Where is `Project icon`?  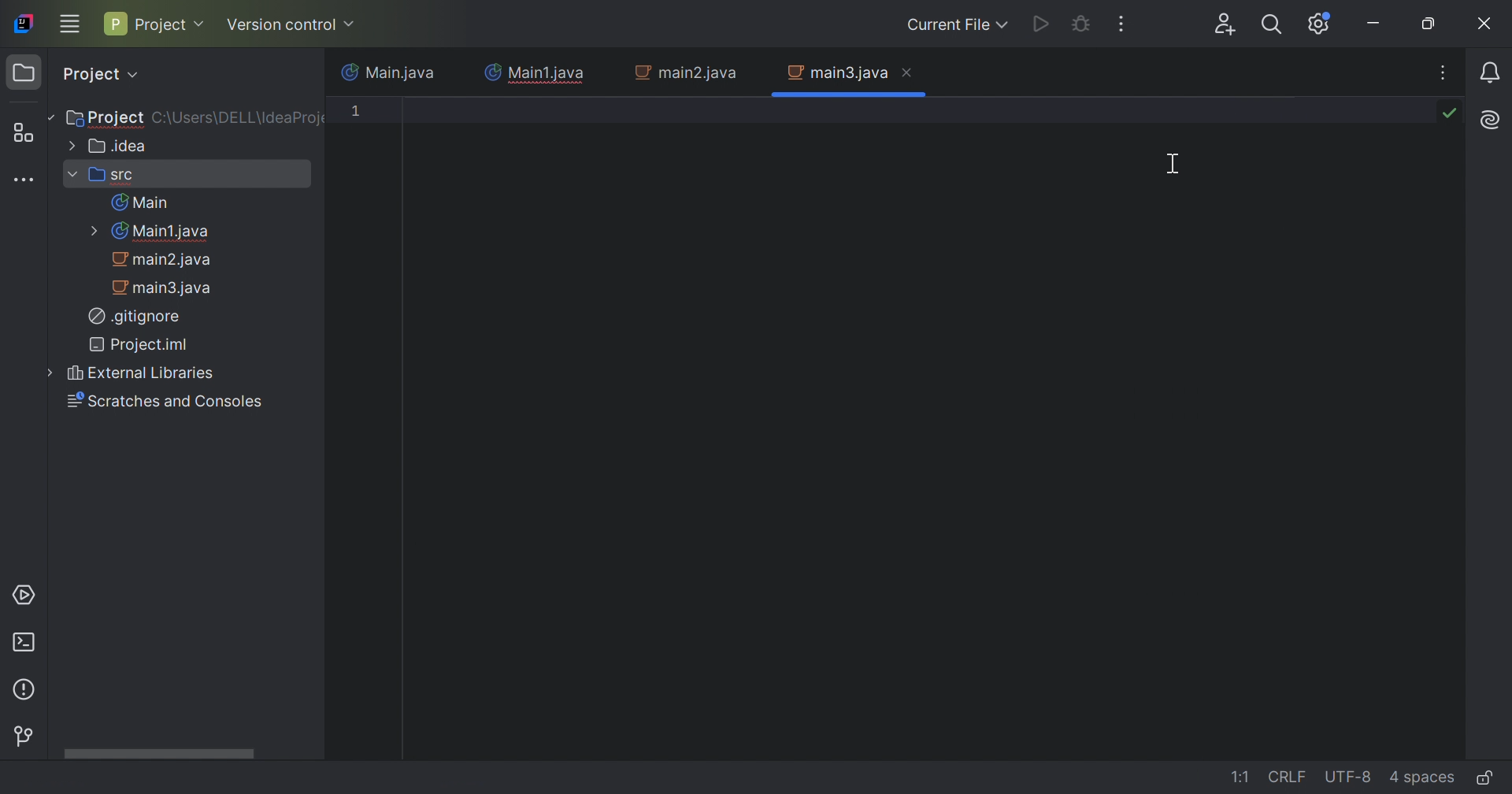
Project icon is located at coordinates (24, 76).